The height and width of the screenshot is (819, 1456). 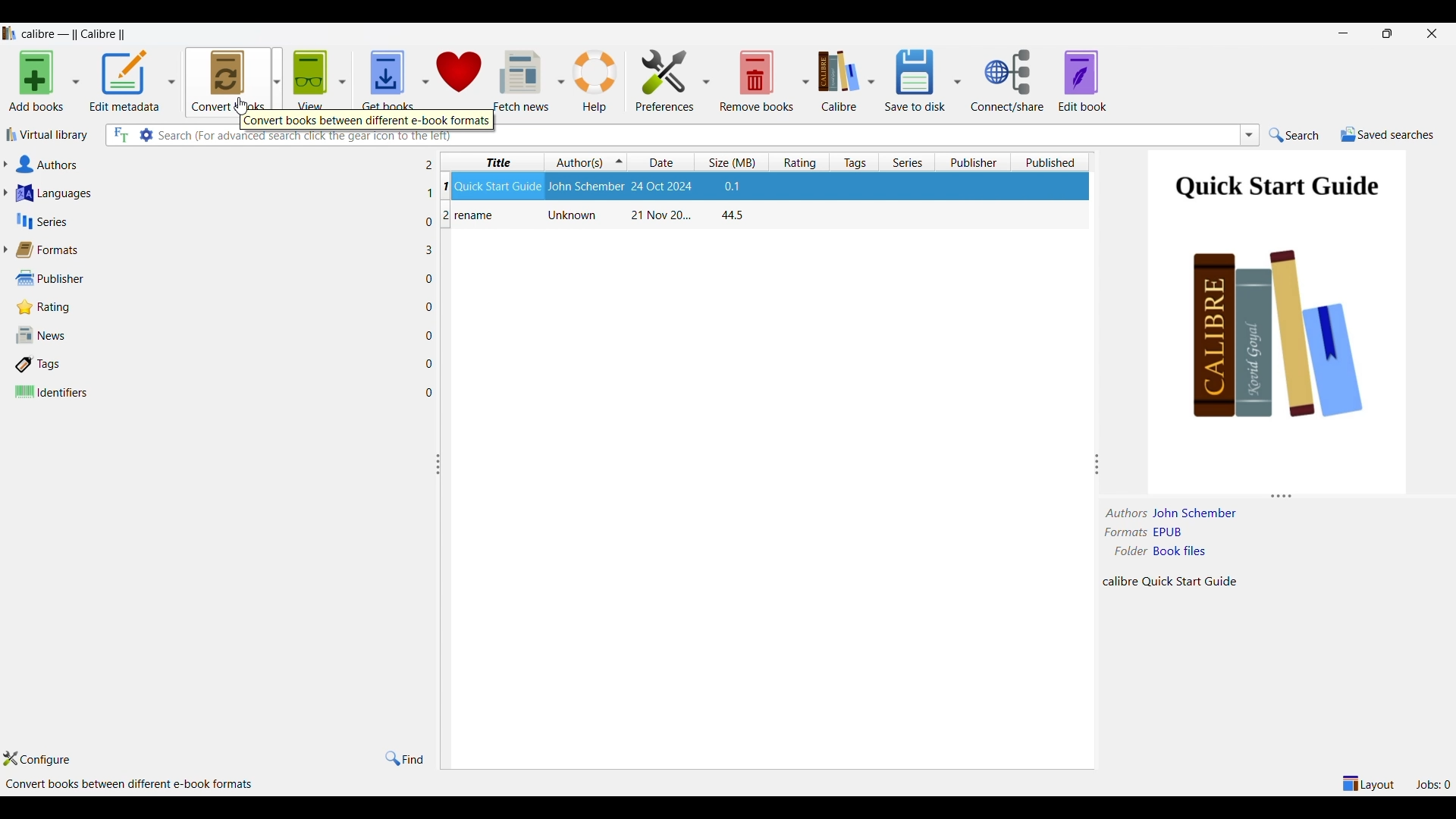 I want to click on Get books, so click(x=384, y=80).